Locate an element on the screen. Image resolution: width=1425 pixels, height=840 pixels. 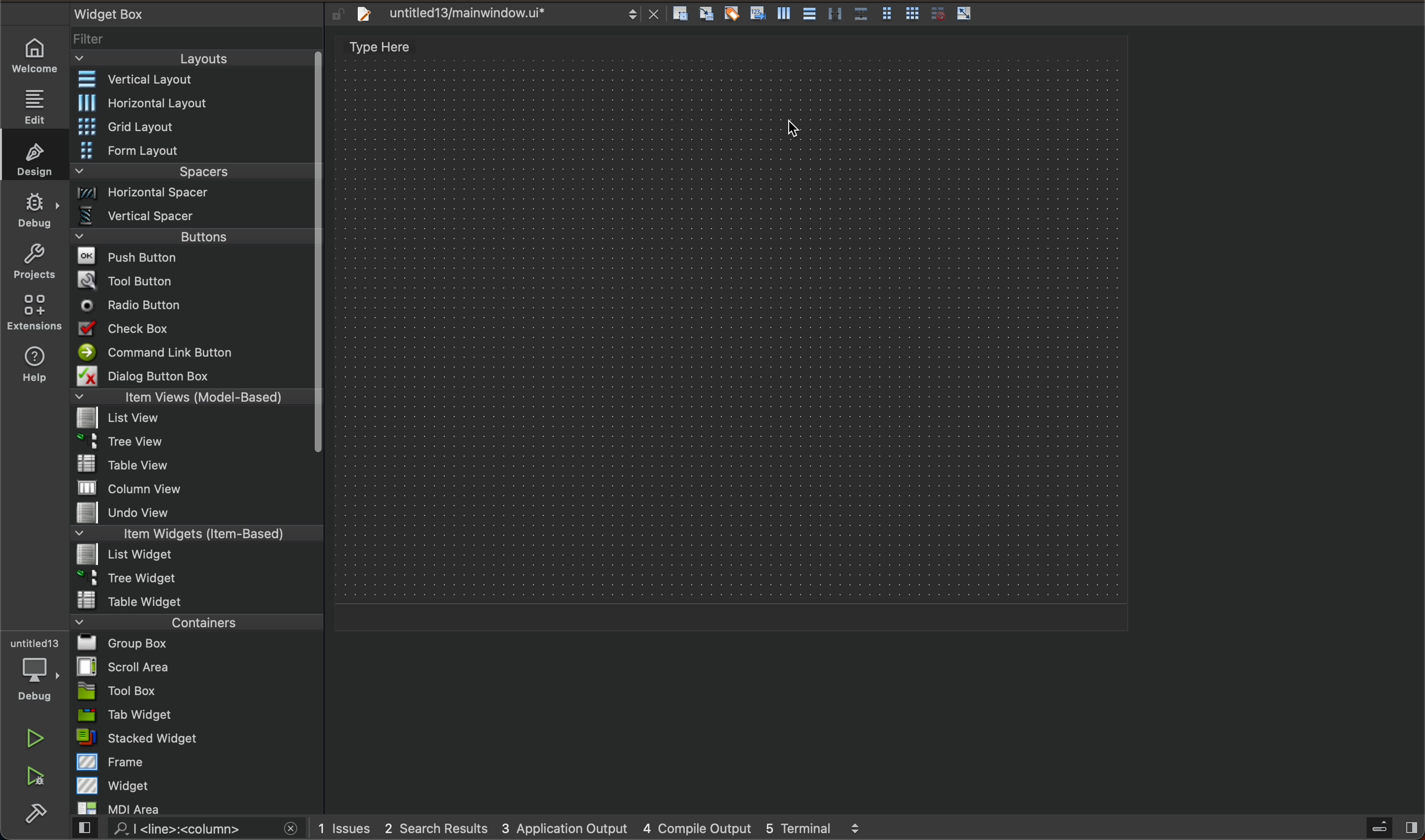
scroll area is located at coordinates (195, 666).